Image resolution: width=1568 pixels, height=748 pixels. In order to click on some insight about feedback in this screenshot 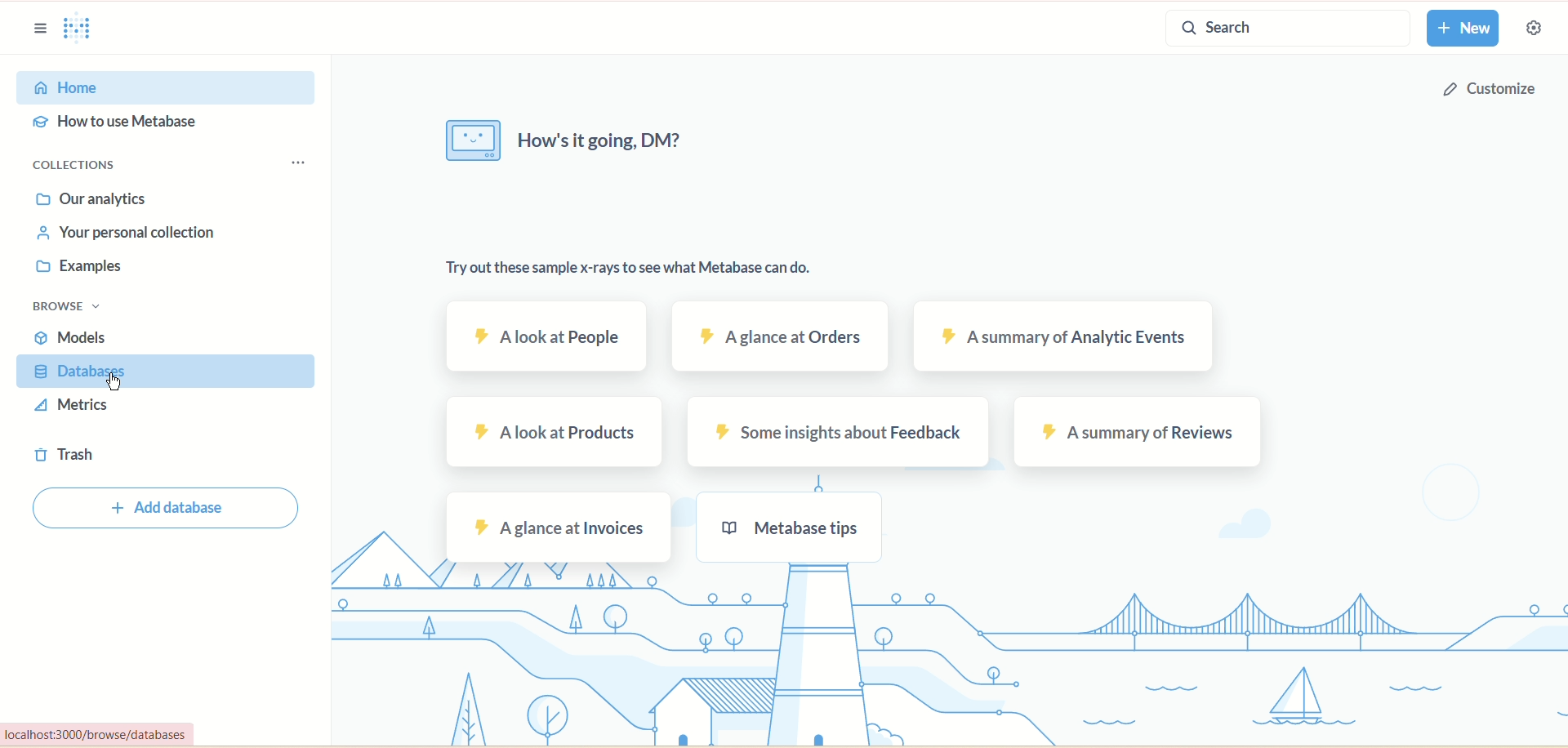, I will do `click(832, 436)`.